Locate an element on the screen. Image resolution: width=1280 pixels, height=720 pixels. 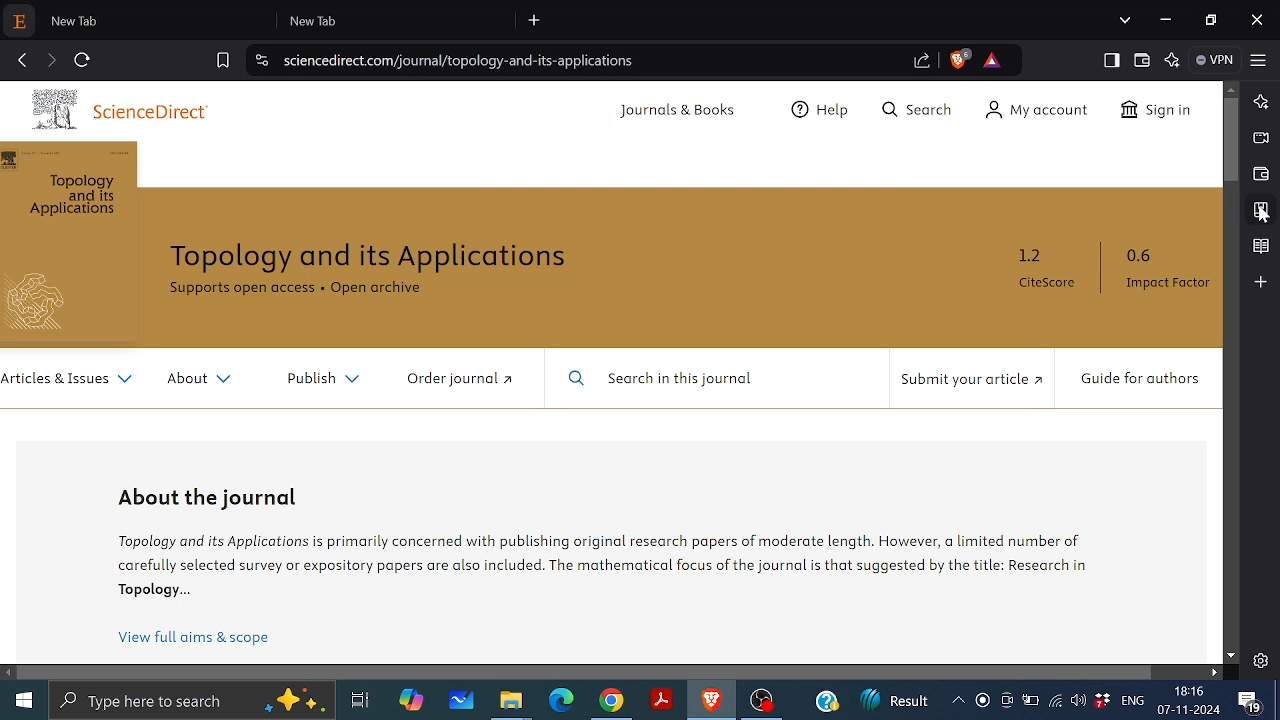
Move down is located at coordinates (1232, 655).